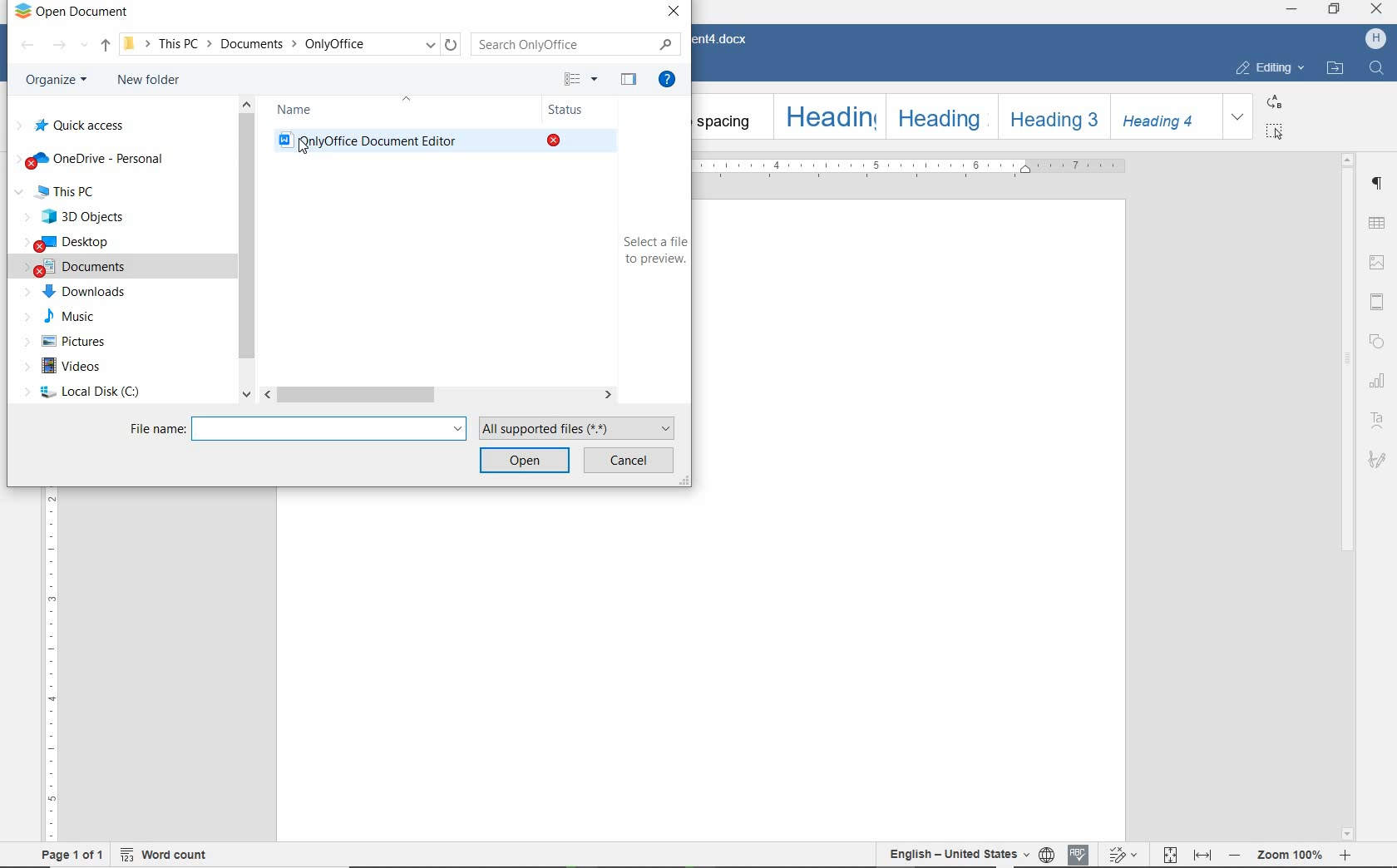 This screenshot has height=868, width=1397. What do you see at coordinates (627, 78) in the screenshot?
I see `hide the preview pane` at bounding box center [627, 78].